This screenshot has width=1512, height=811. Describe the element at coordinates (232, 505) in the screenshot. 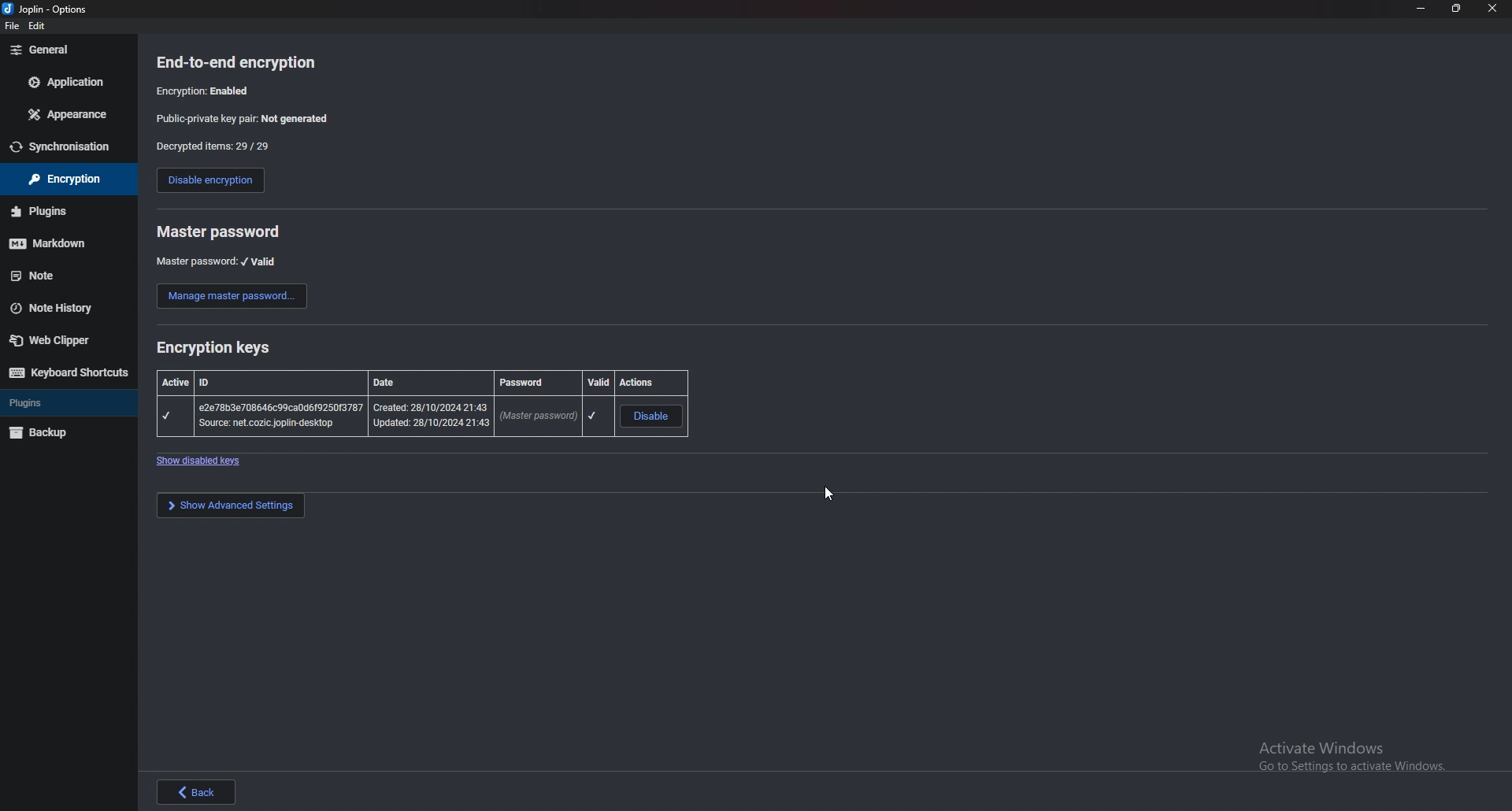

I see `` at that location.